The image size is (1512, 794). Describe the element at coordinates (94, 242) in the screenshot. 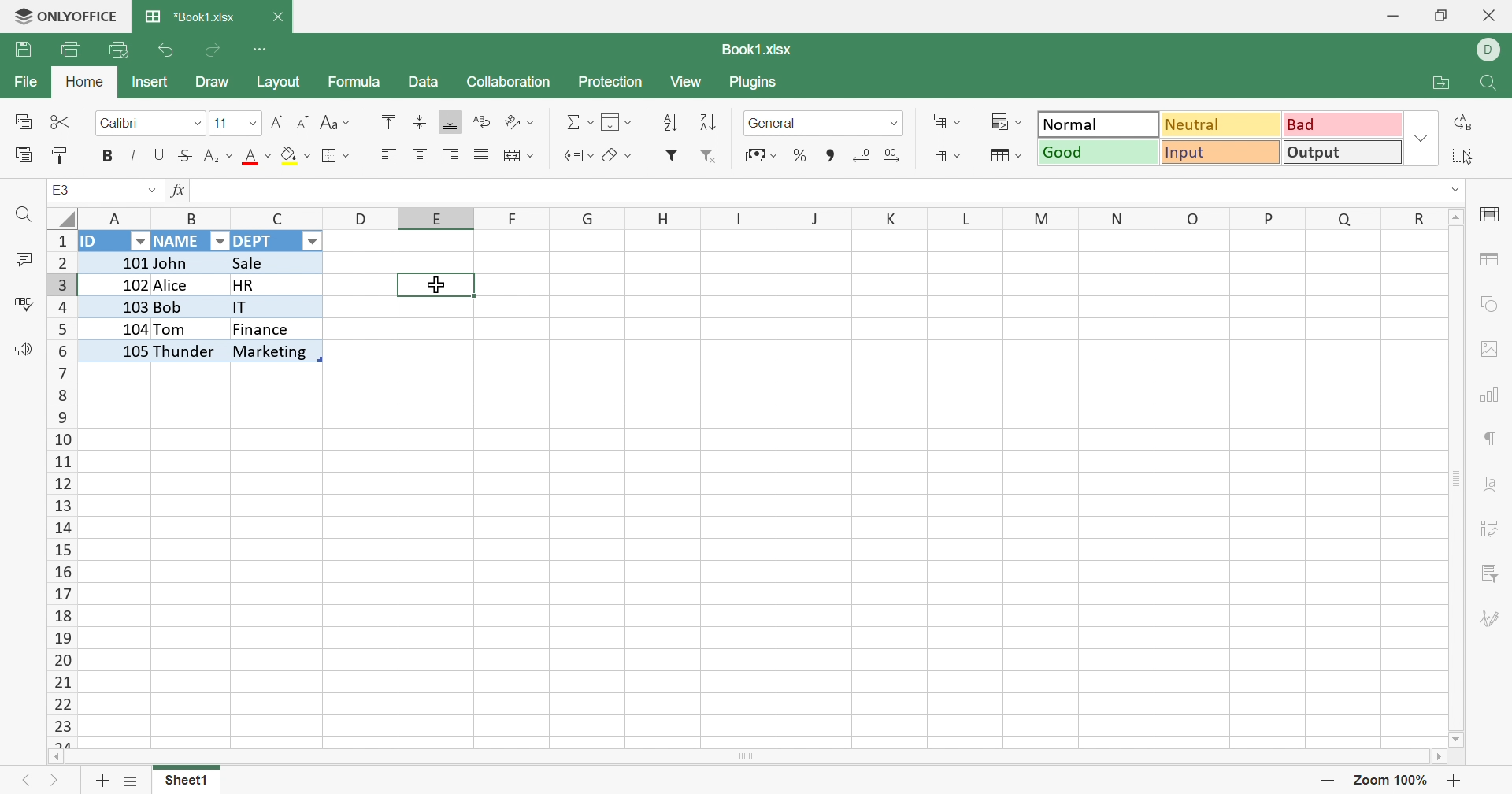

I see `ID` at that location.